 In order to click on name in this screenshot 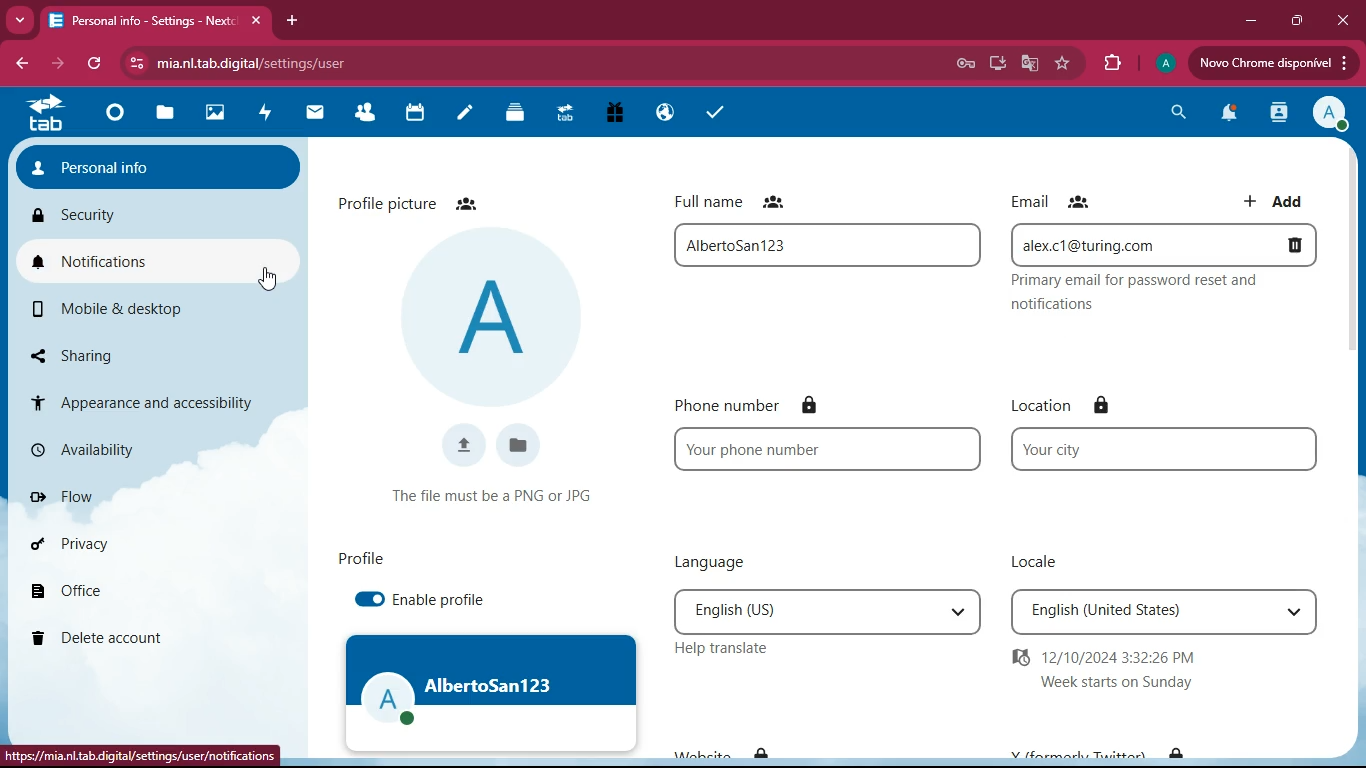, I will do `click(832, 245)`.